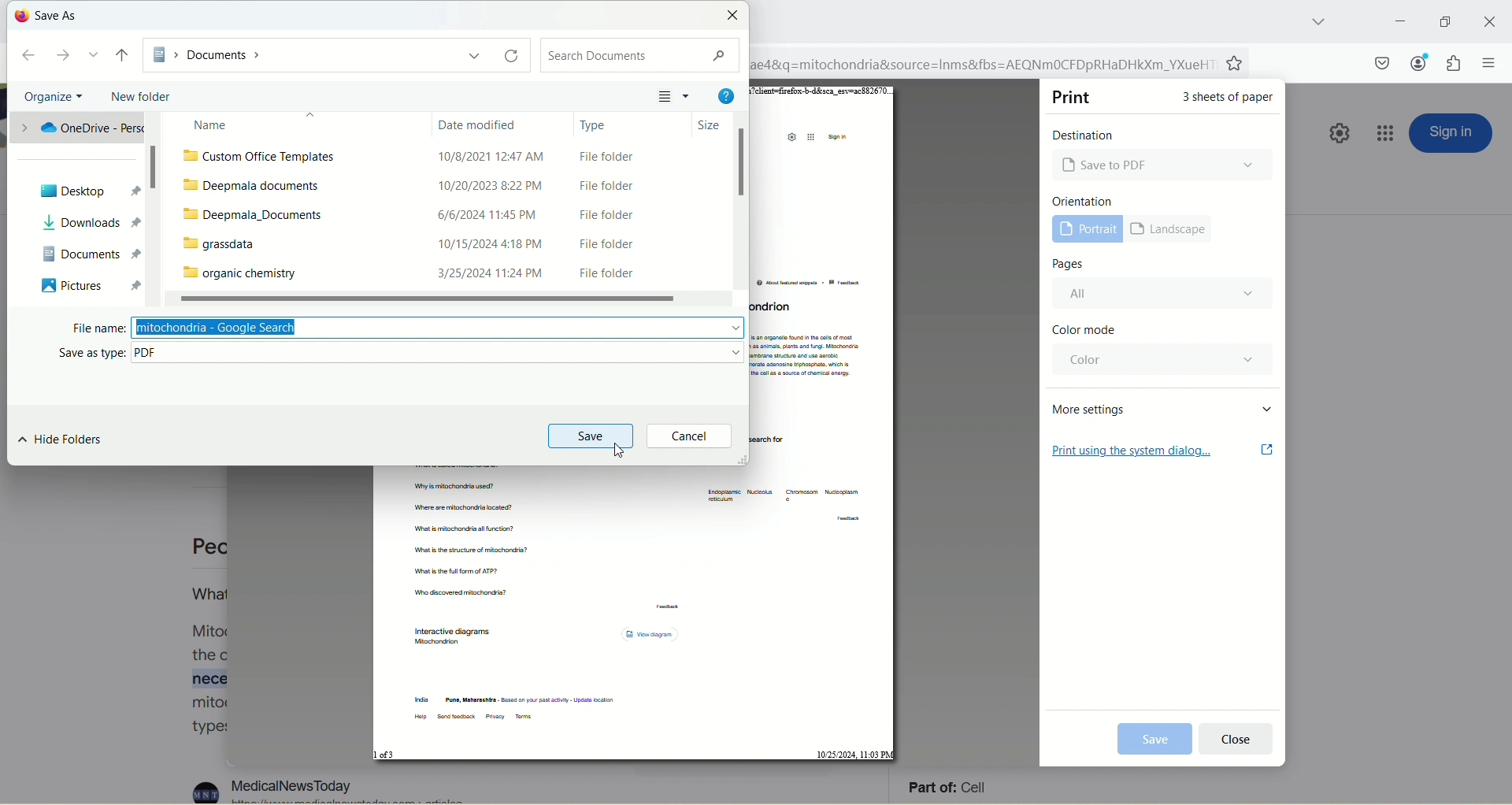 This screenshot has height=805, width=1512. Describe the element at coordinates (297, 124) in the screenshot. I see `name` at that location.